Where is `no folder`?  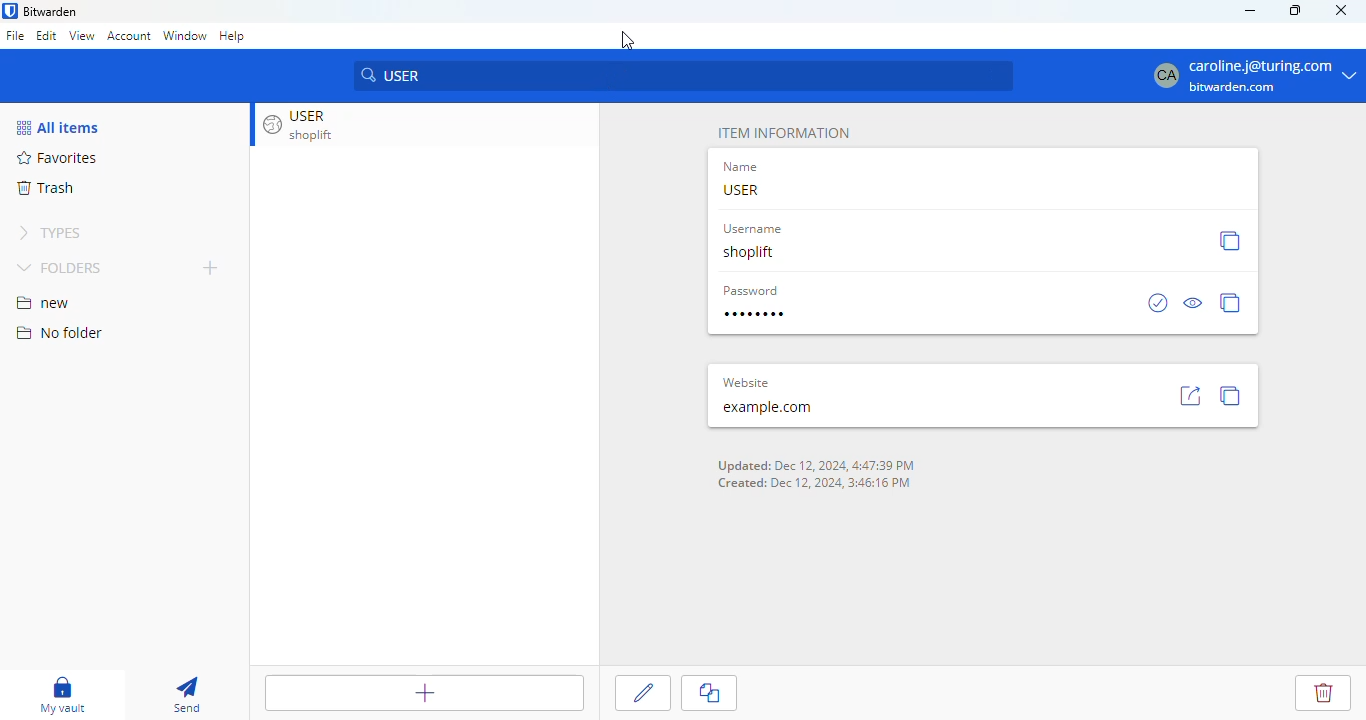
no folder is located at coordinates (60, 332).